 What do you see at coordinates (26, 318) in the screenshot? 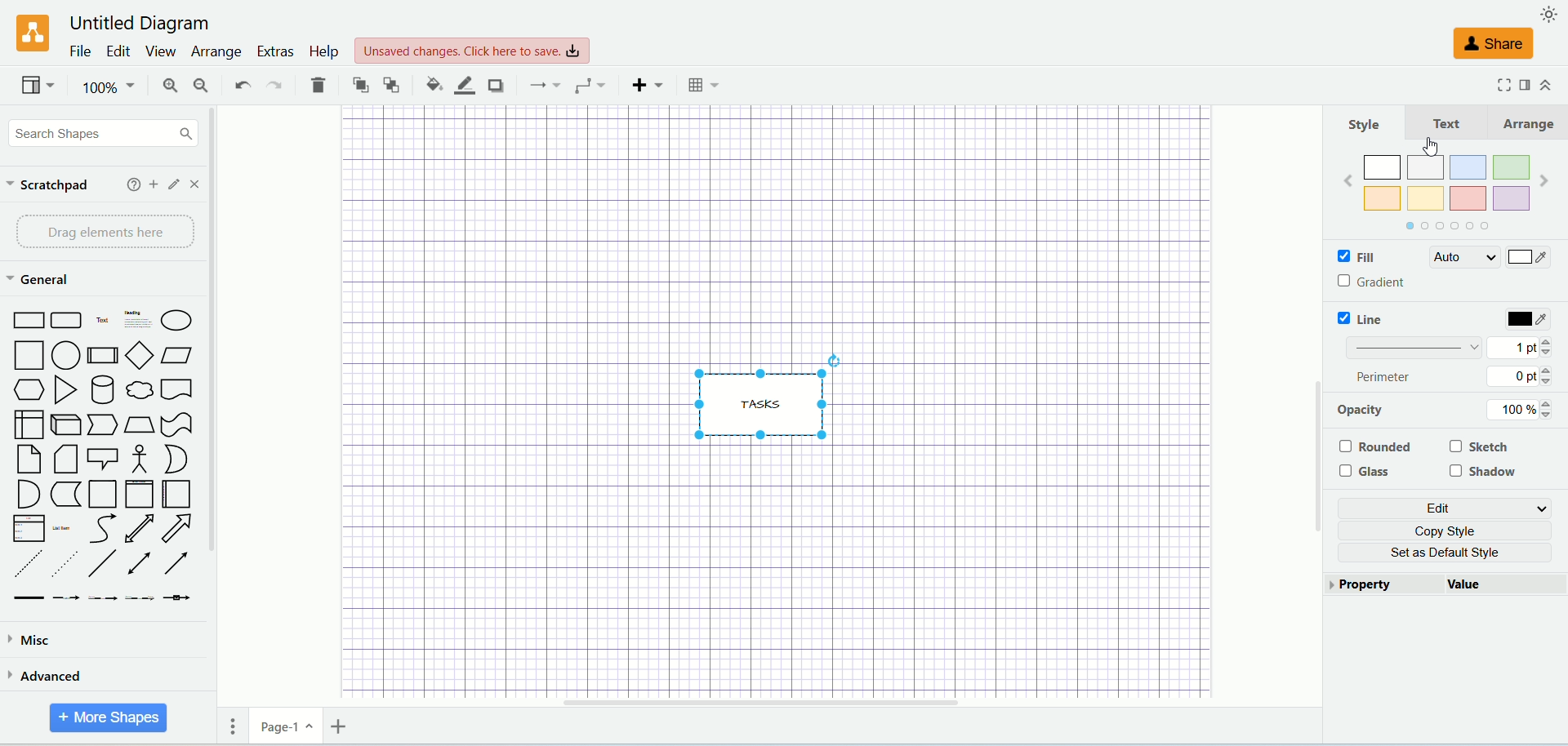
I see `Rectangle` at bounding box center [26, 318].